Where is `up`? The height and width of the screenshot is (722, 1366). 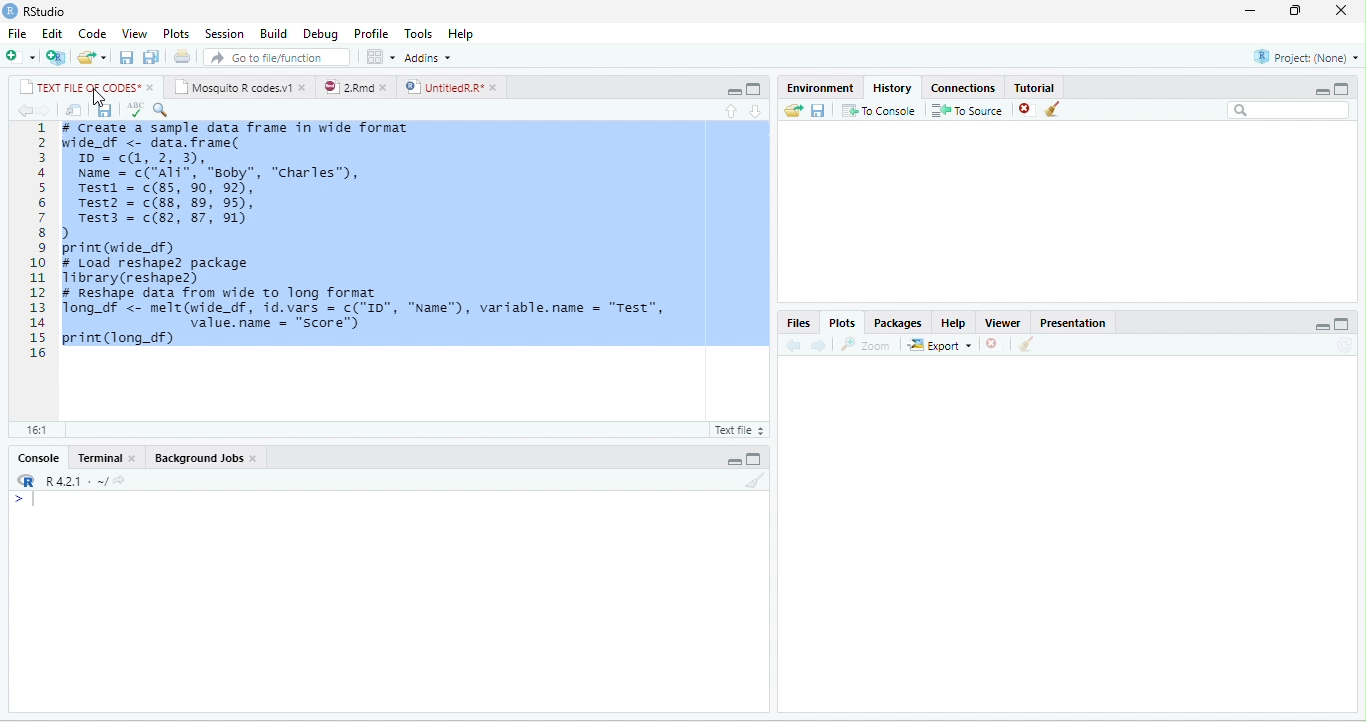
up is located at coordinates (730, 112).